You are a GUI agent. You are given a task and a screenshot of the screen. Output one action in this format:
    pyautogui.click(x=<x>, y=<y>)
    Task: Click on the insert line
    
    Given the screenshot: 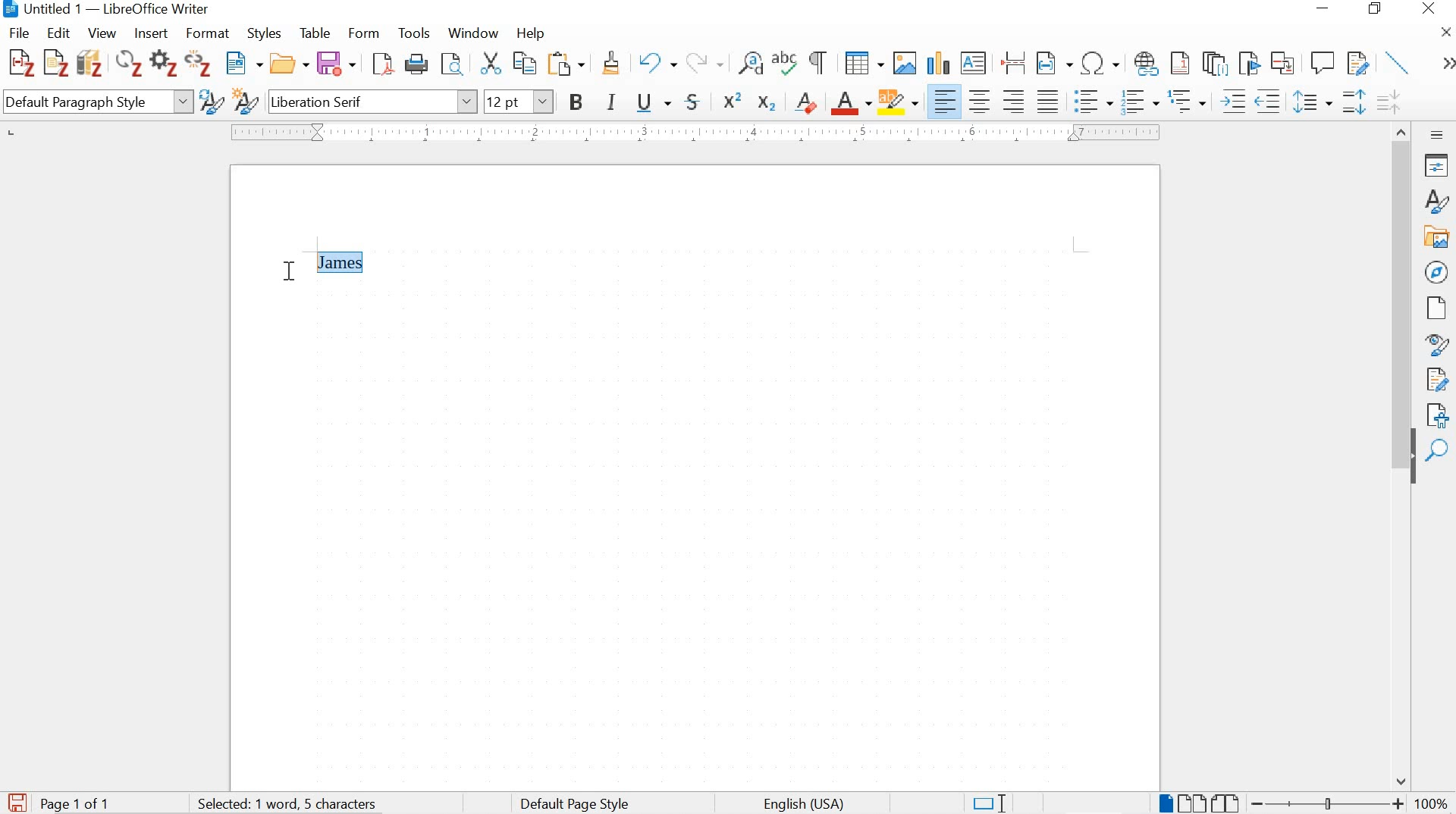 What is the action you would take?
    pyautogui.click(x=1398, y=62)
    